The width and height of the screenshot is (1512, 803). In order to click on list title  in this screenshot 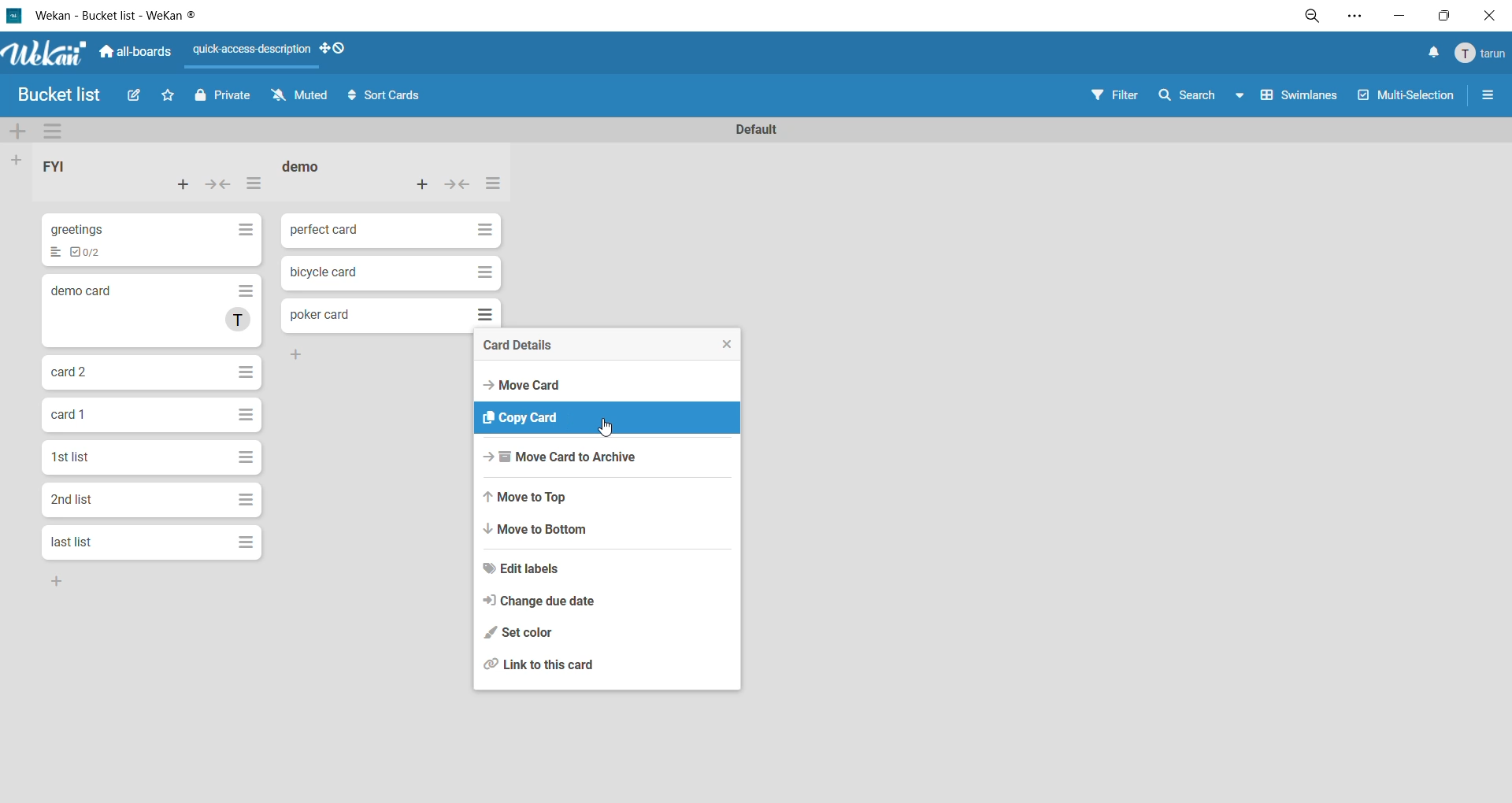, I will do `click(310, 168)`.